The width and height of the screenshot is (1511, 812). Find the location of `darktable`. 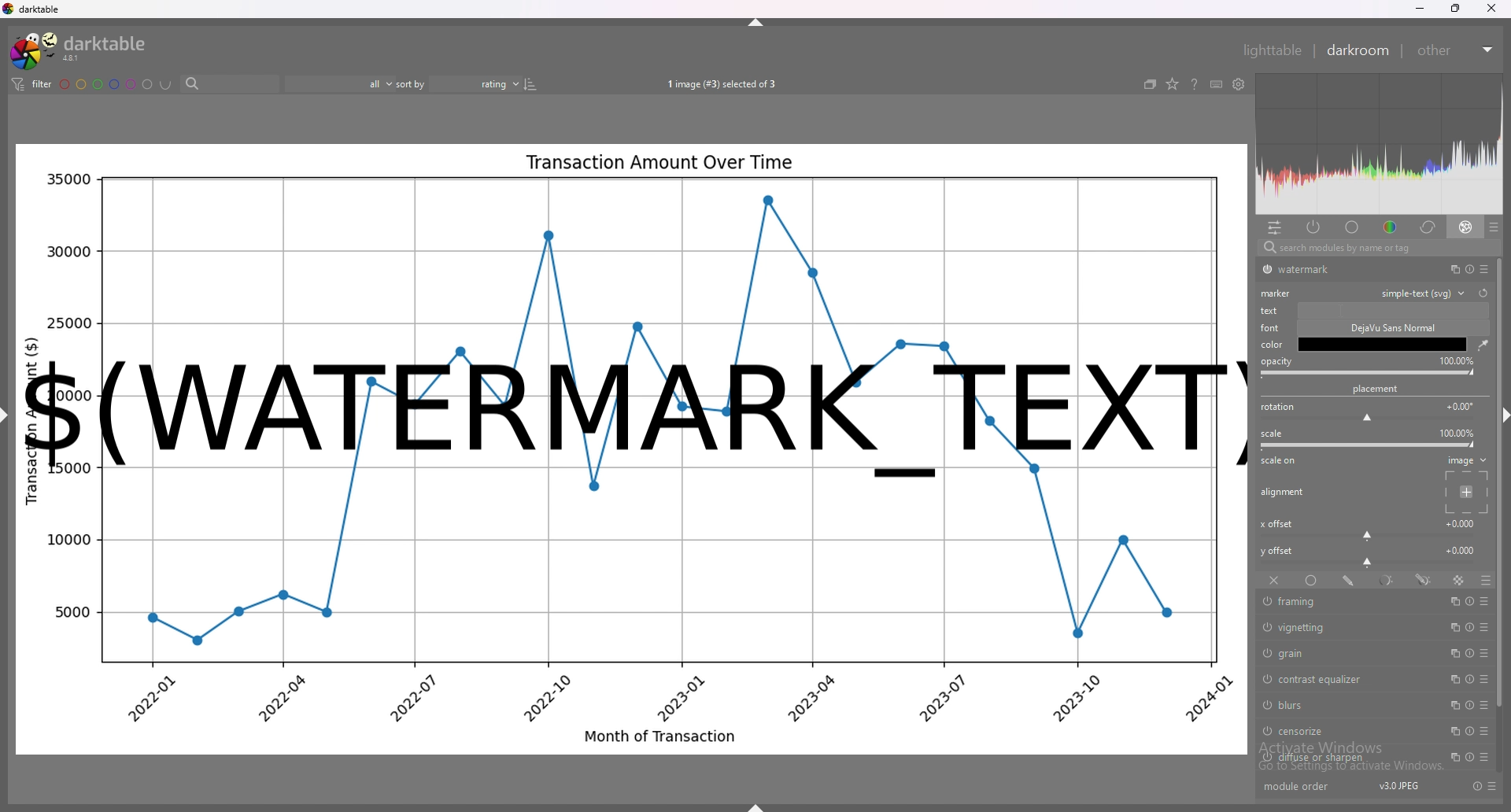

darktable is located at coordinates (79, 50).